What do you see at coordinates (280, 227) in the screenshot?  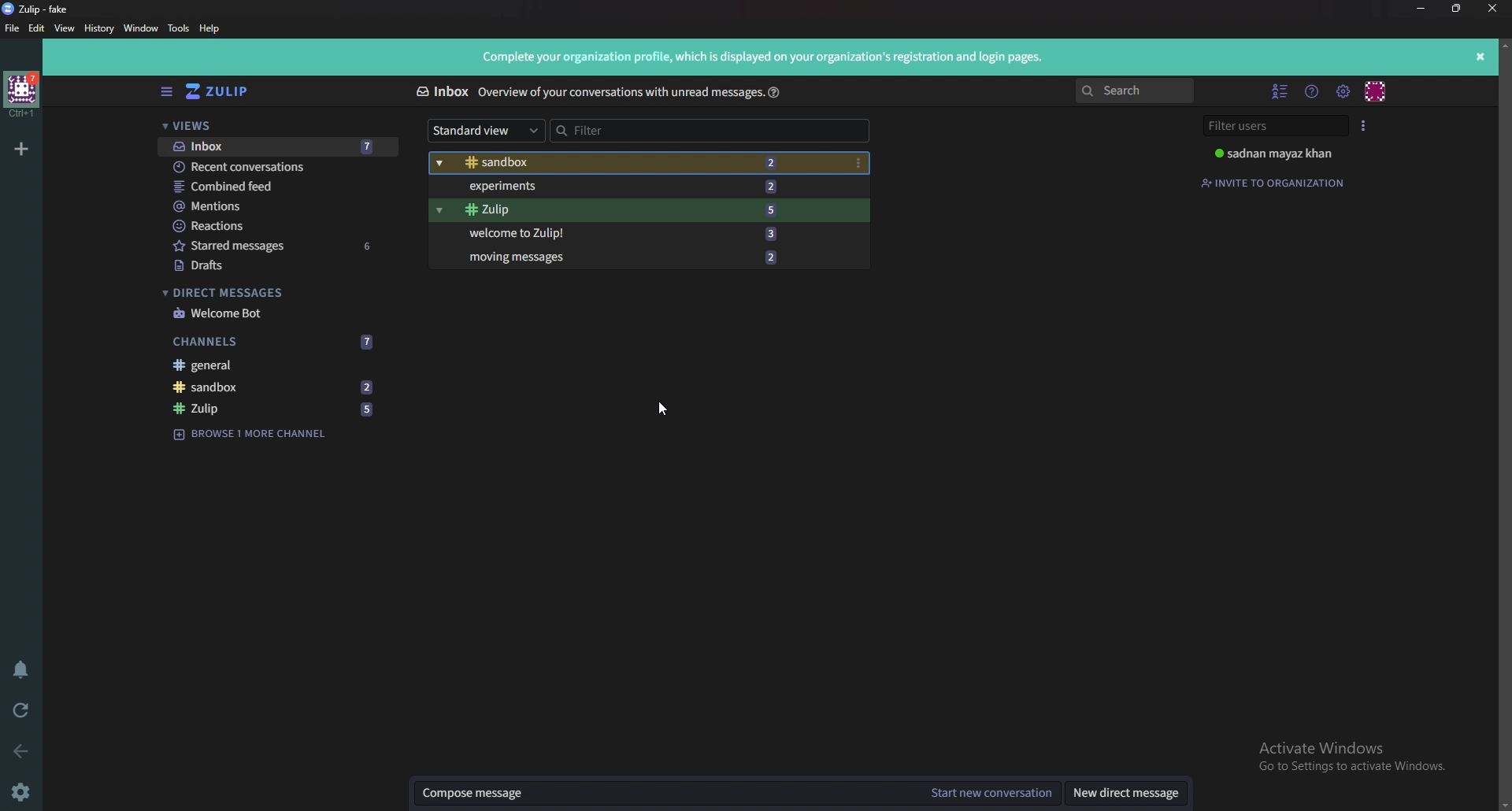 I see `Reactions` at bounding box center [280, 227].